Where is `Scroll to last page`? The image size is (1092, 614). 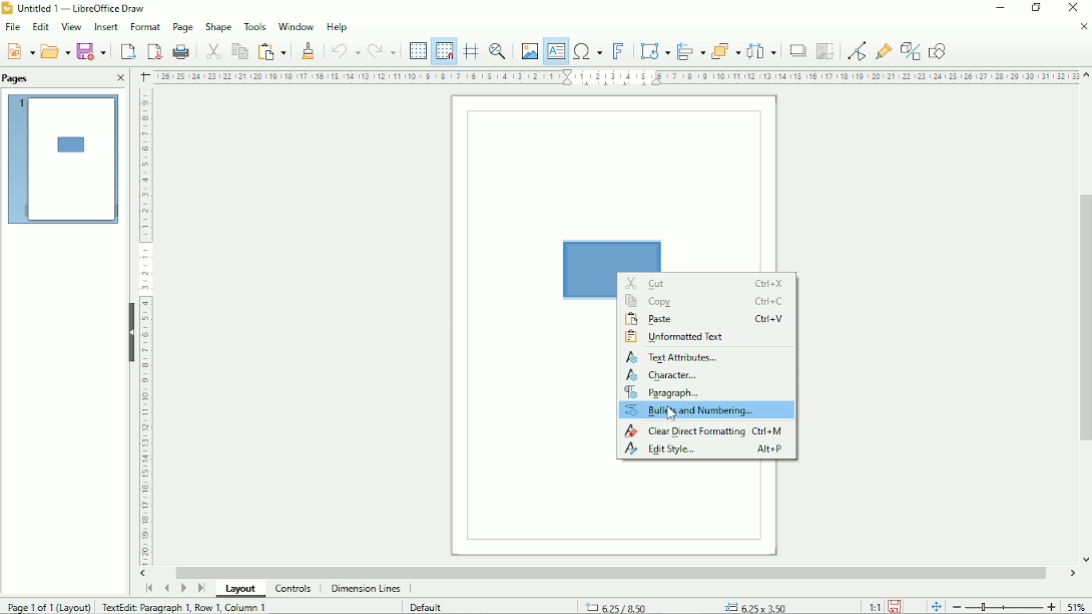
Scroll to last page is located at coordinates (201, 588).